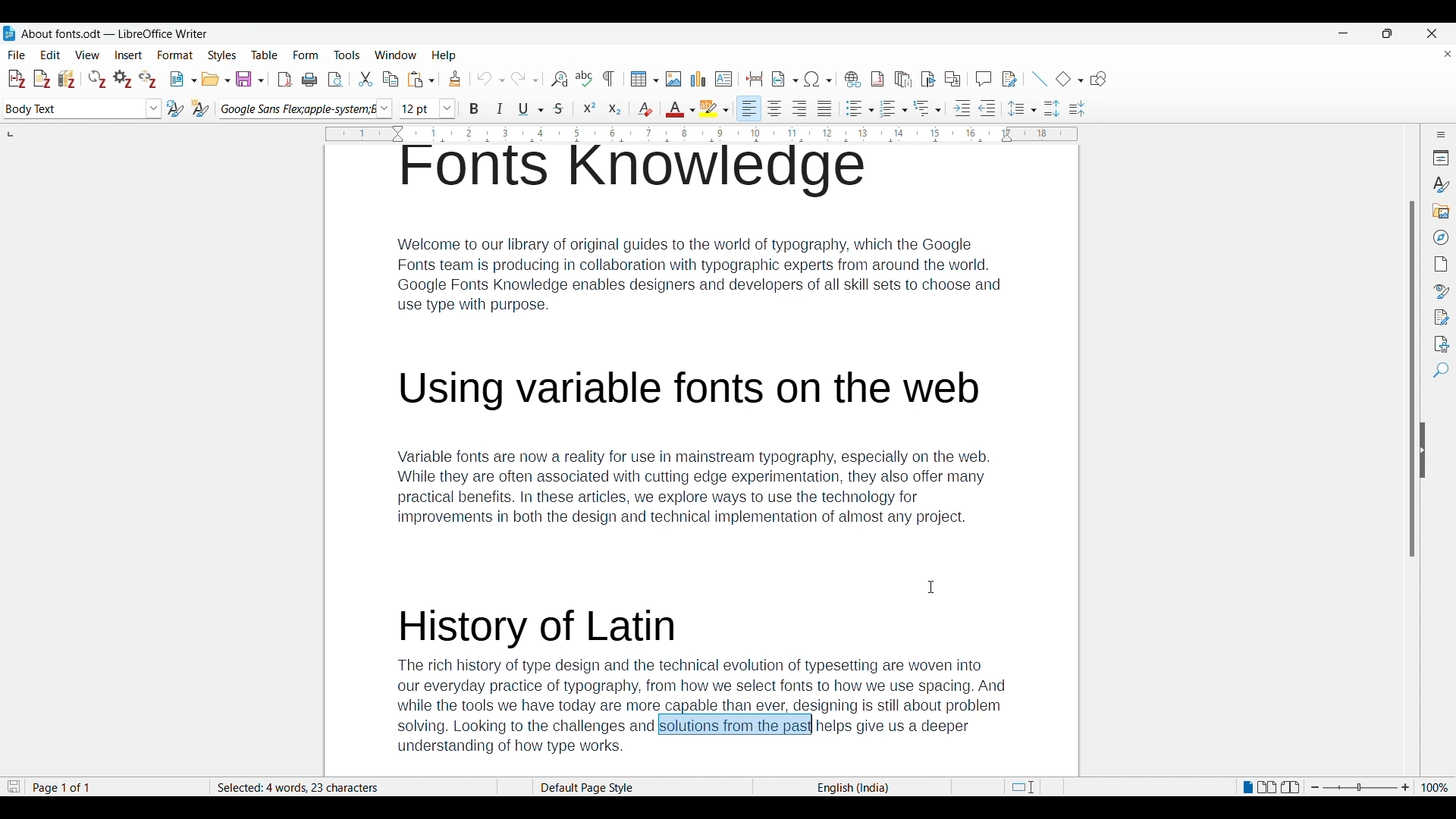 The height and width of the screenshot is (819, 1456). I want to click on Special character options and current selection, so click(818, 79).